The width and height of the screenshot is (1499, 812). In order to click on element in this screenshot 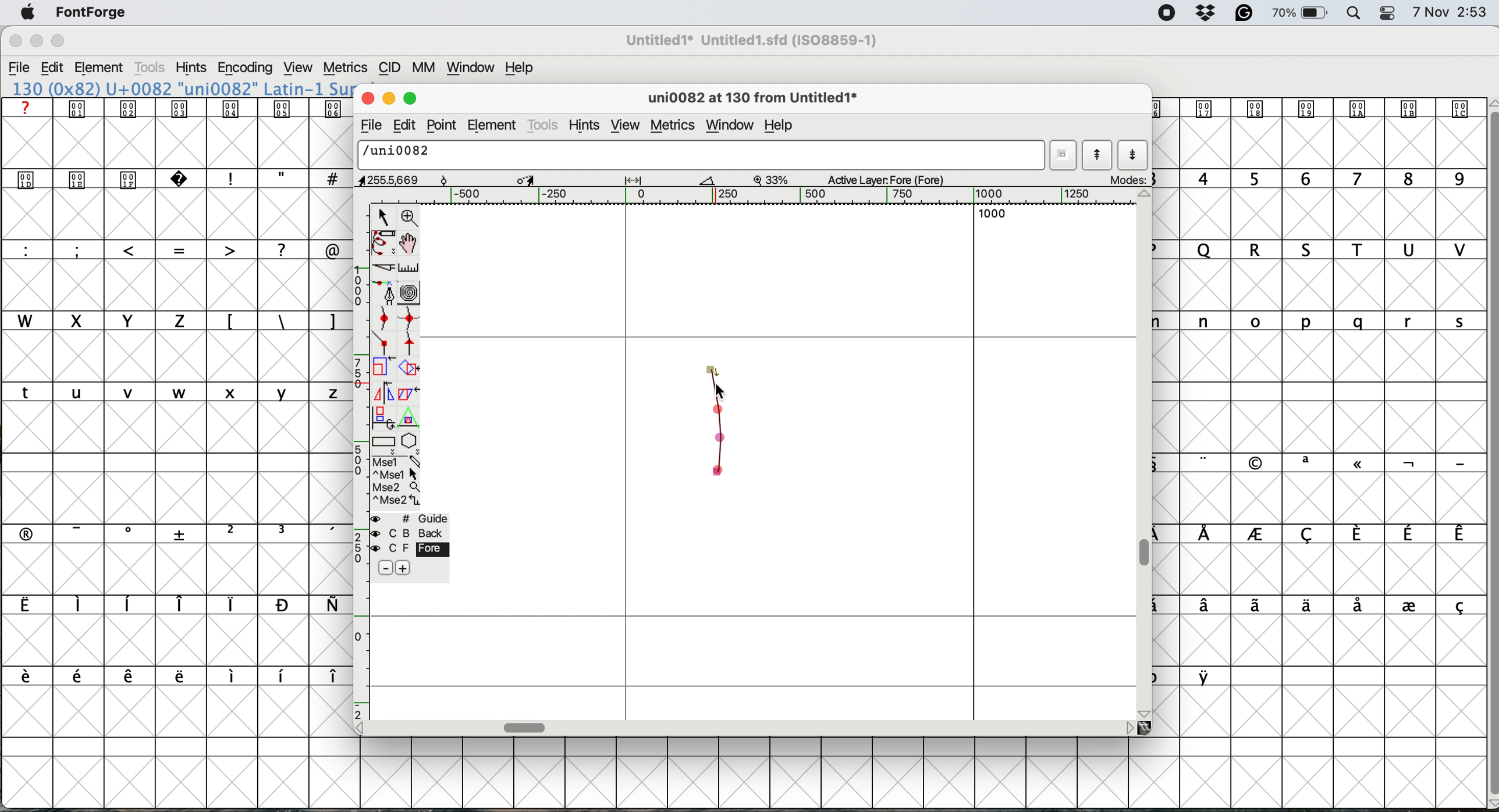, I will do `click(493, 126)`.